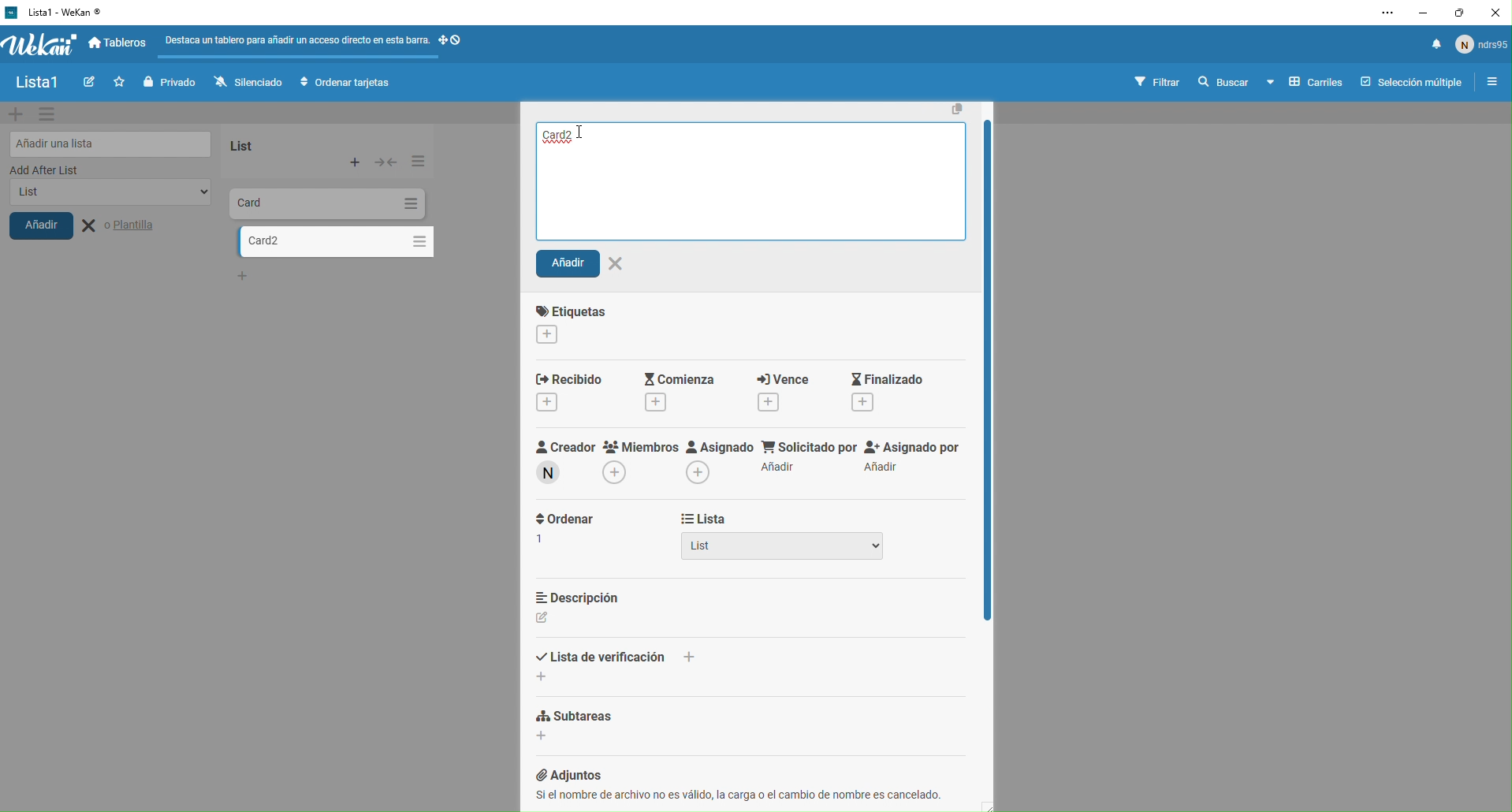  Describe the element at coordinates (168, 82) in the screenshot. I see `privado` at that location.